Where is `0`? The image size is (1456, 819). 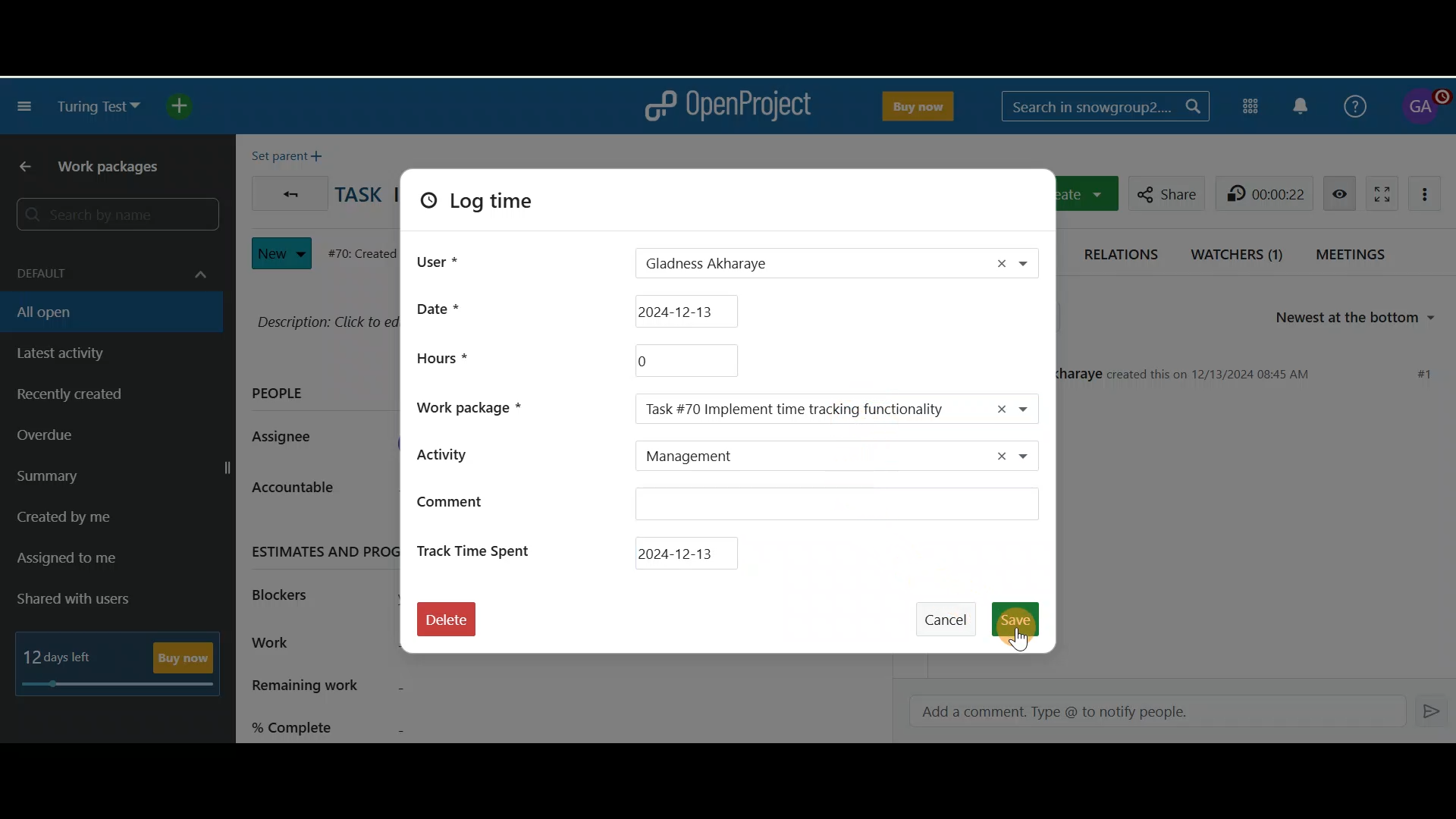 0 is located at coordinates (684, 360).